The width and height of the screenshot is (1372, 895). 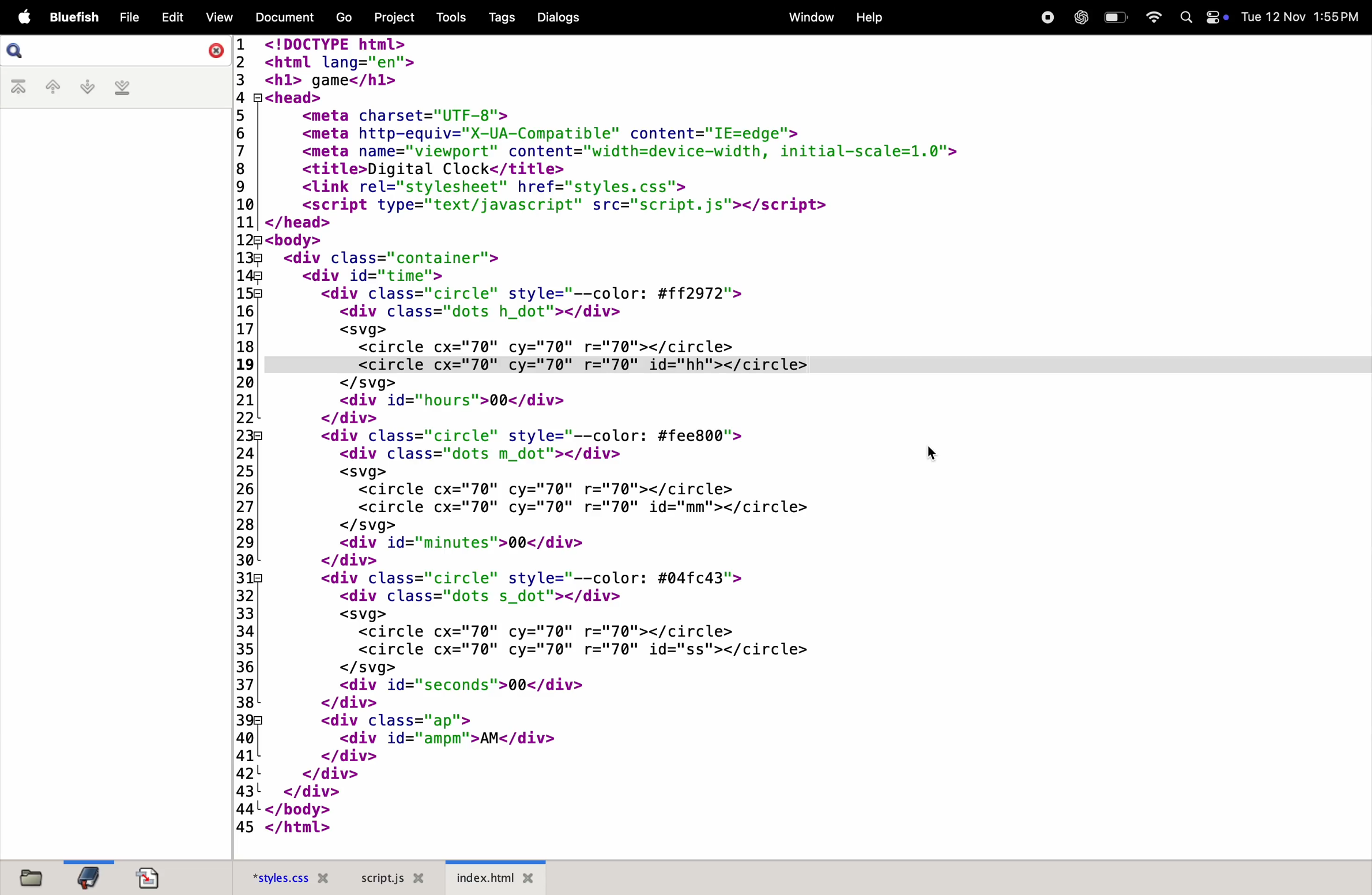 What do you see at coordinates (88, 878) in the screenshot?
I see `open bookmark` at bounding box center [88, 878].